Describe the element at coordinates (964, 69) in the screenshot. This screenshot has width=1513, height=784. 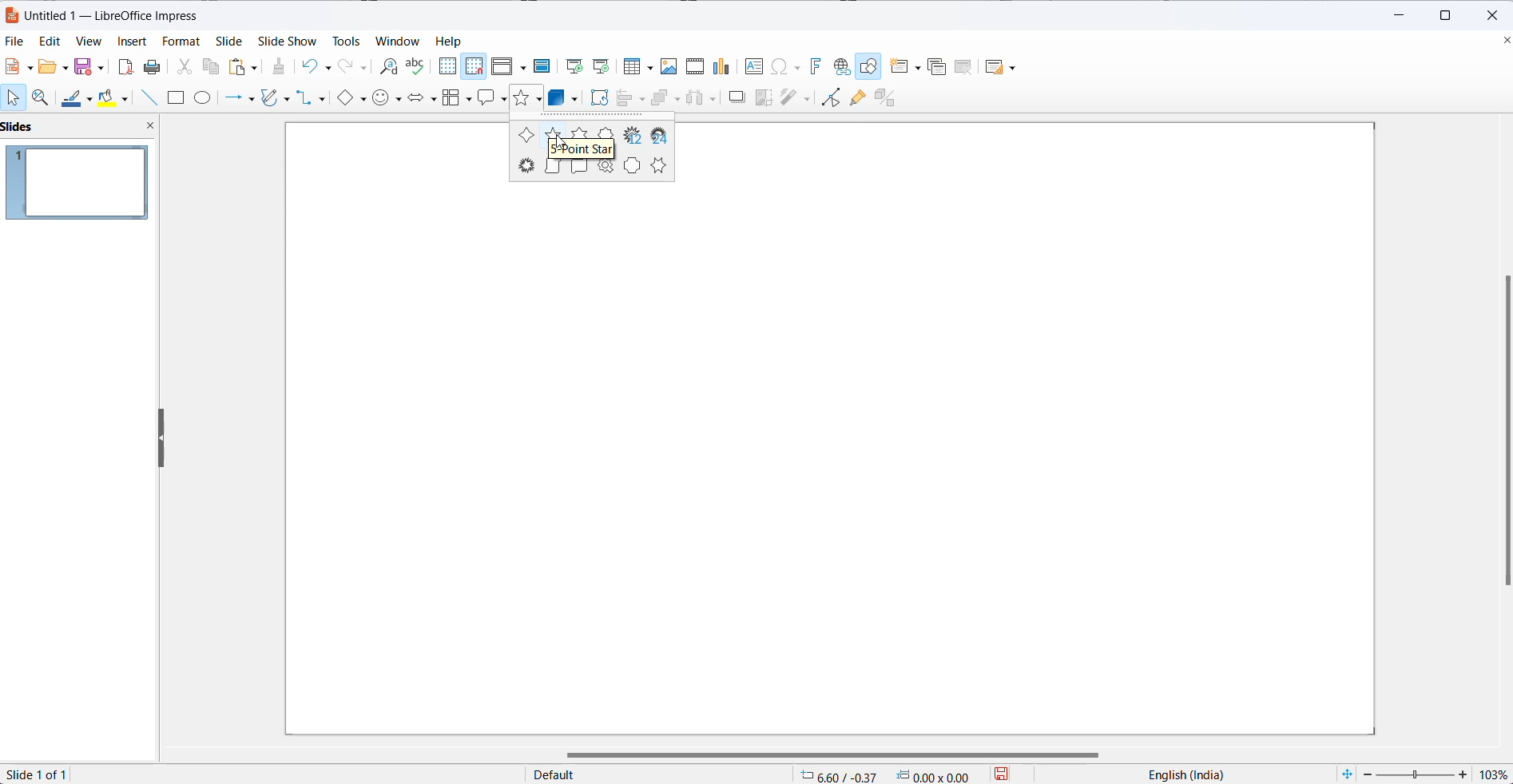
I see `DELETE SLIDE` at that location.